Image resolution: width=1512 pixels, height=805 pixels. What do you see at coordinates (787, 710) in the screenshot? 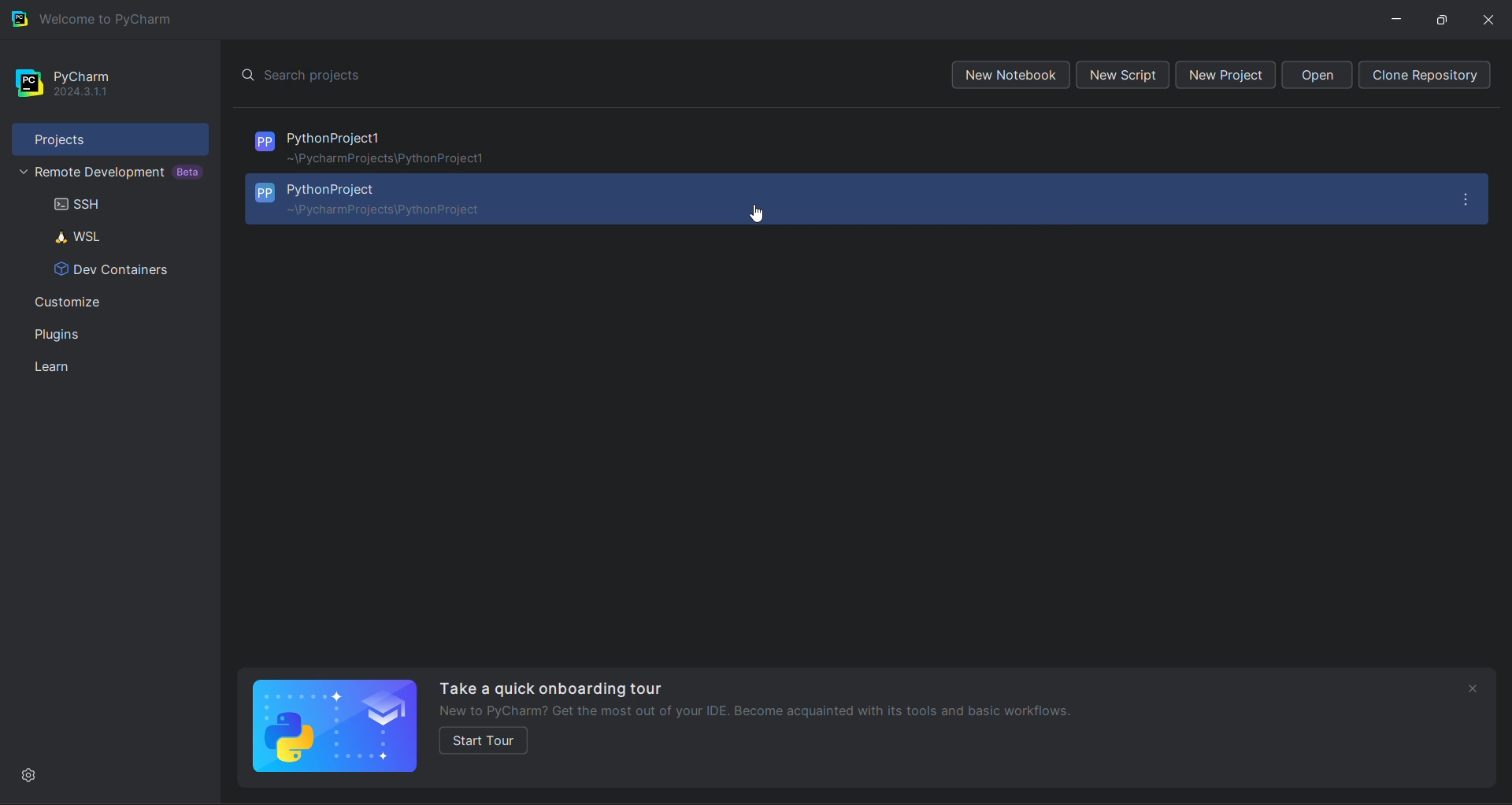
I see `Neq to Pycharm text` at bounding box center [787, 710].